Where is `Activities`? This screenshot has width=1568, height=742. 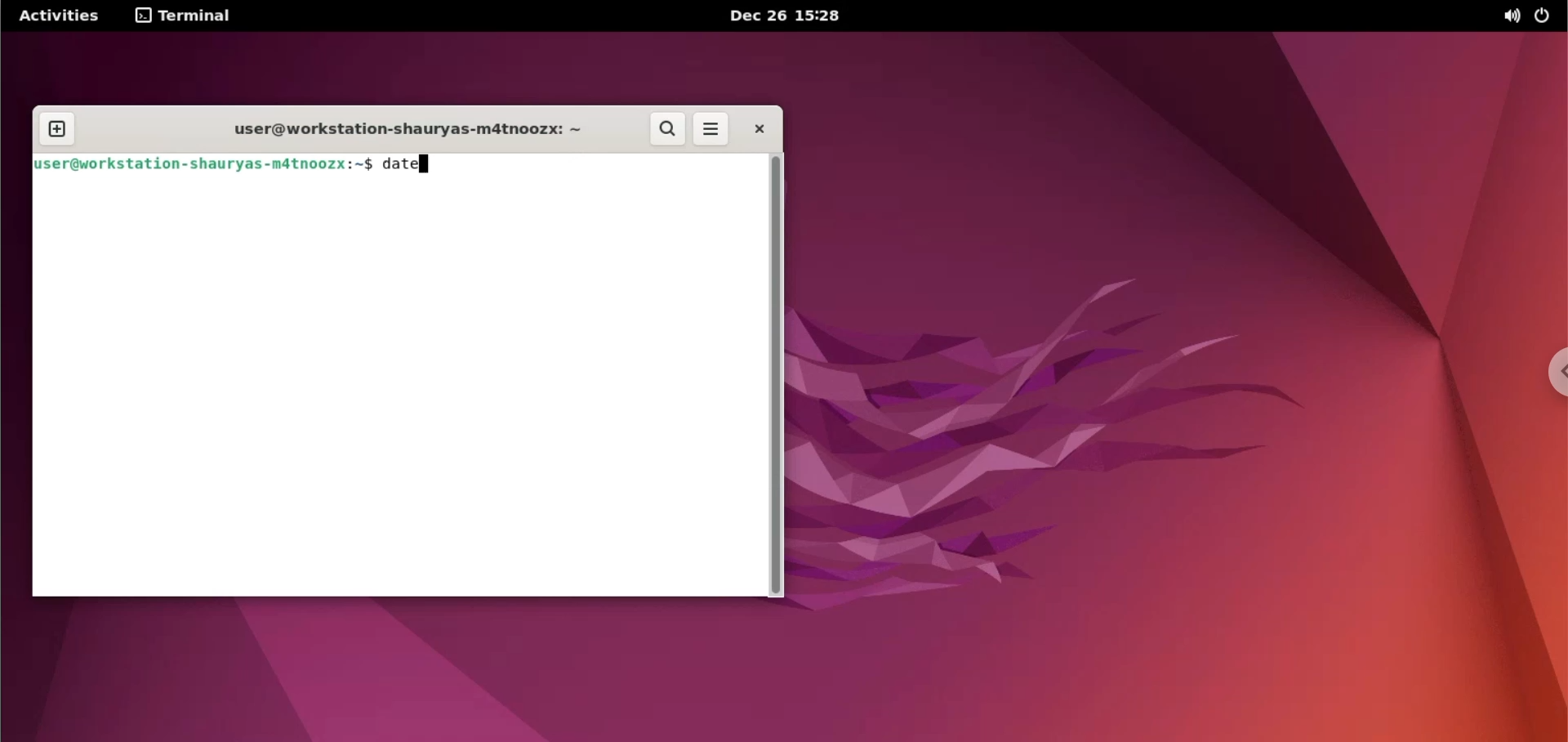 Activities is located at coordinates (60, 16).